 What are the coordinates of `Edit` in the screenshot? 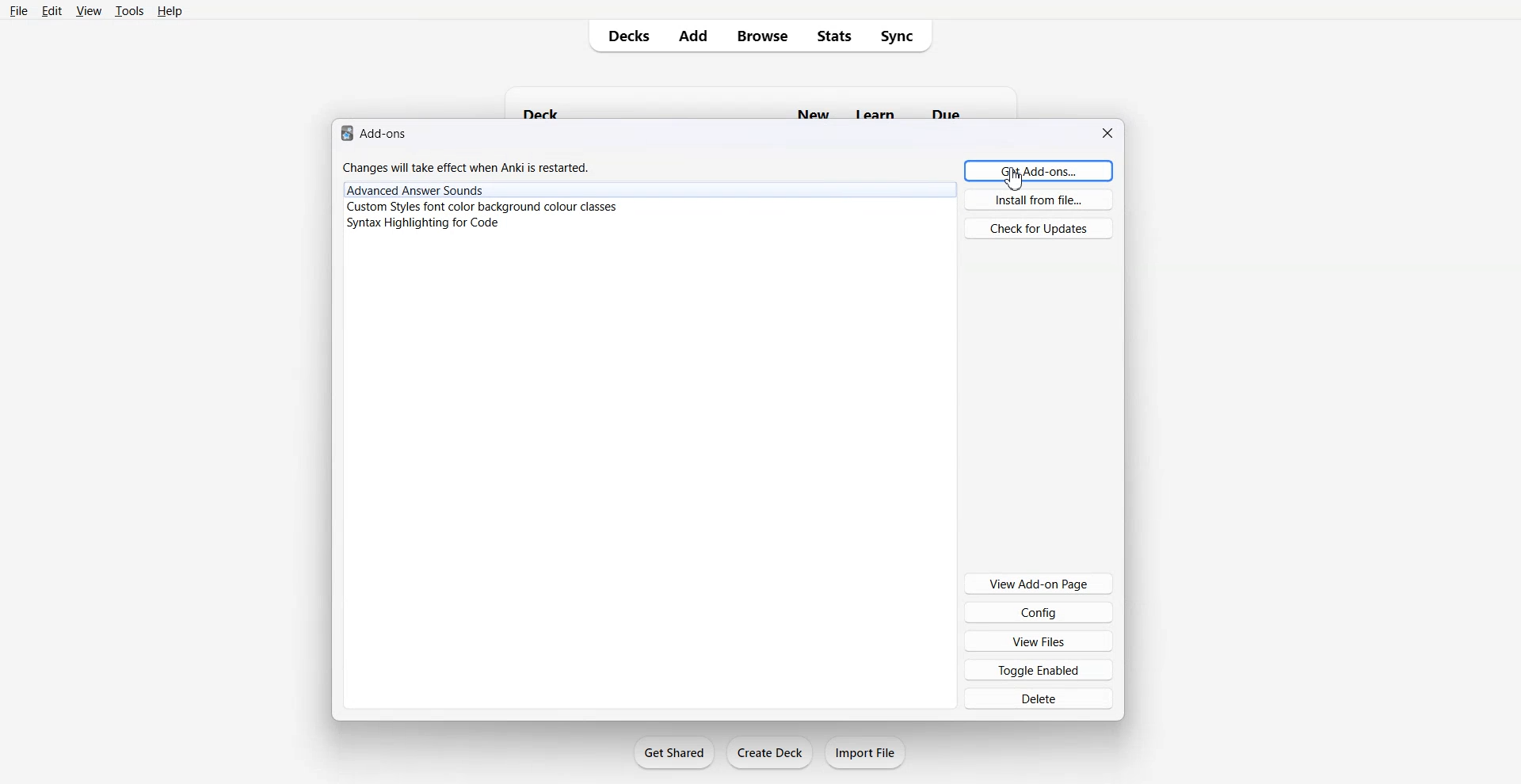 It's located at (51, 10).